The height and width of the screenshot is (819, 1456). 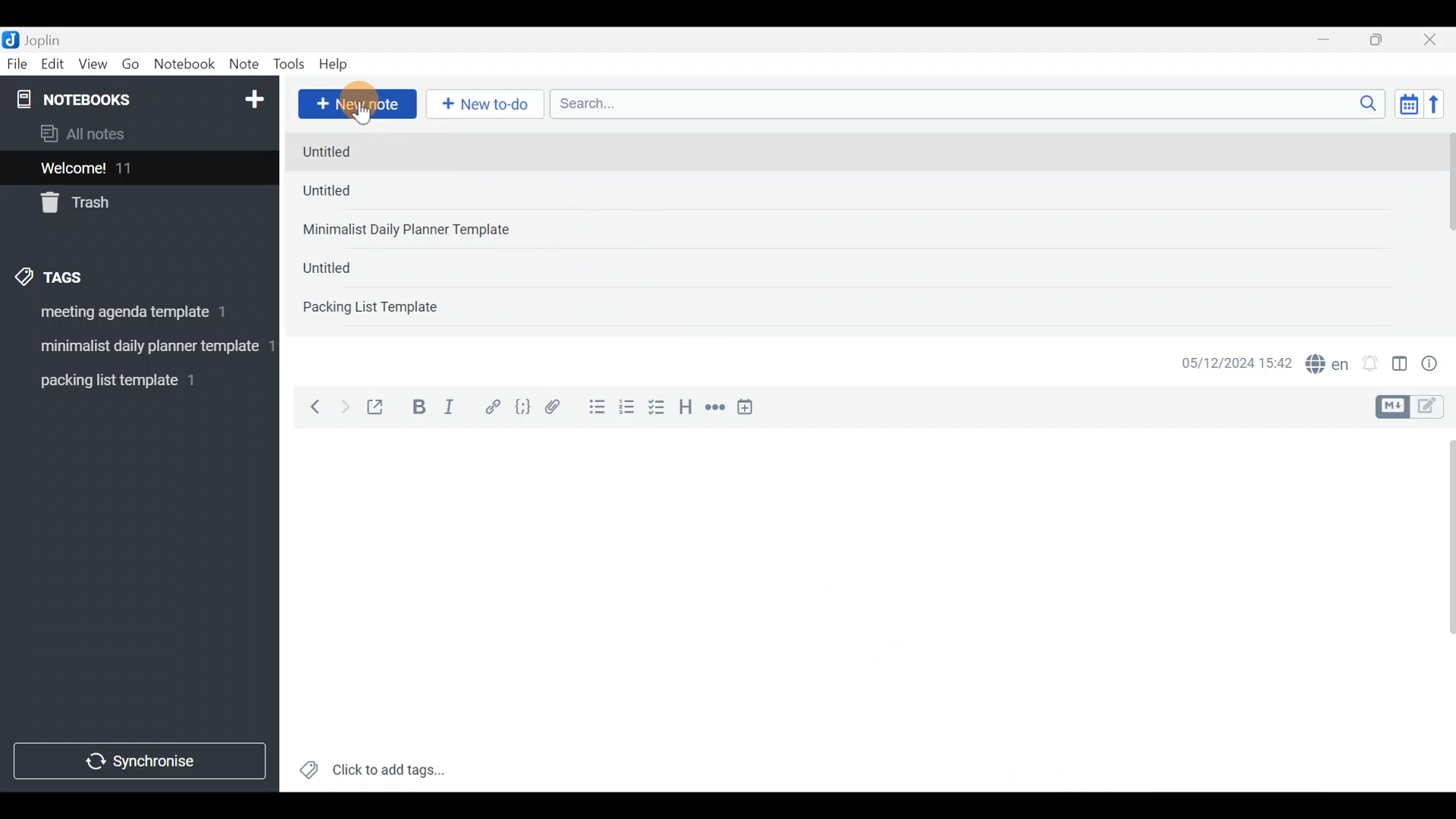 What do you see at coordinates (370, 306) in the screenshot?
I see `Packing List Template` at bounding box center [370, 306].